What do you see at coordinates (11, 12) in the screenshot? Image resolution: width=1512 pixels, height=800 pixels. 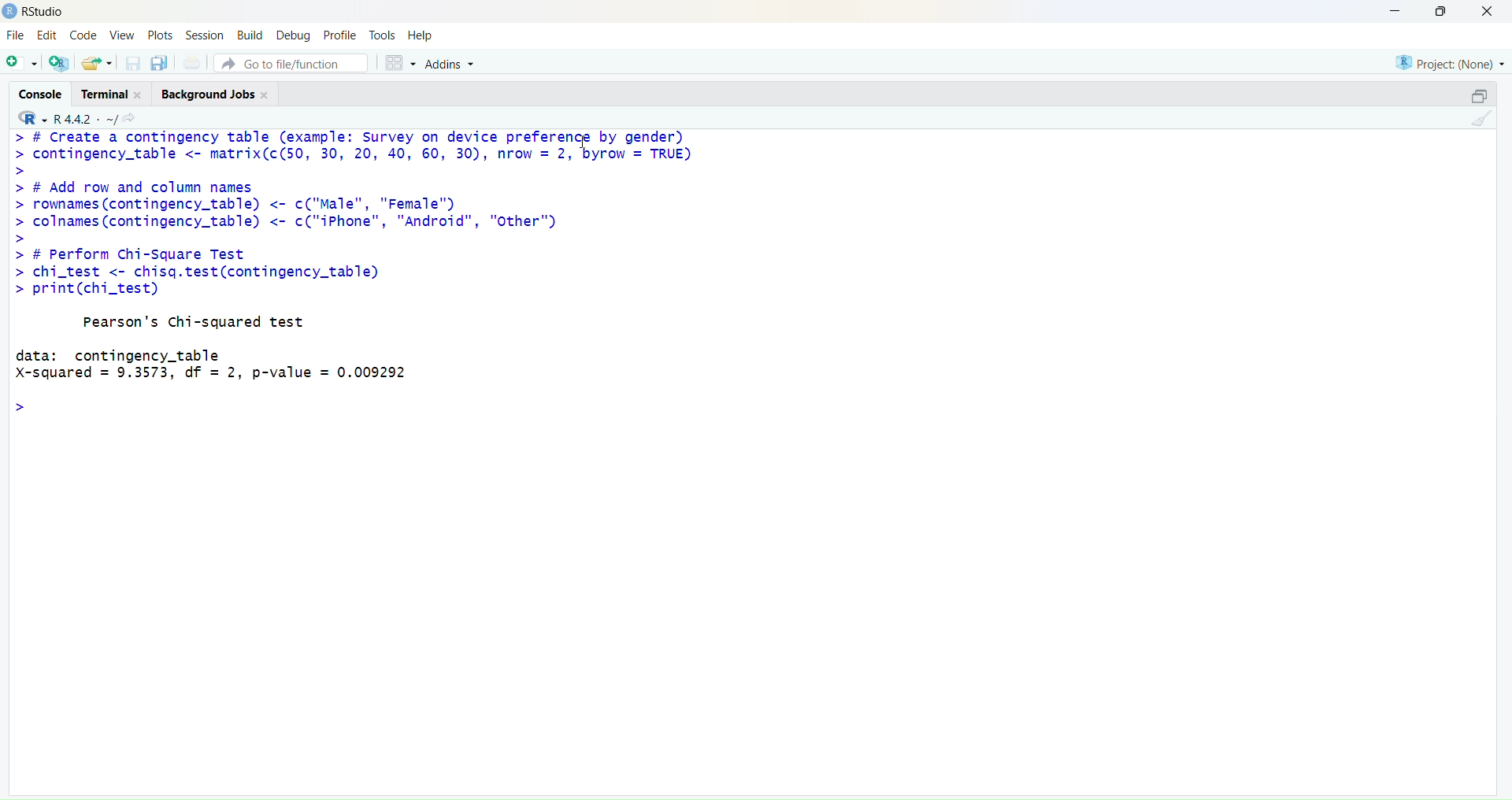 I see `logo` at bounding box center [11, 12].